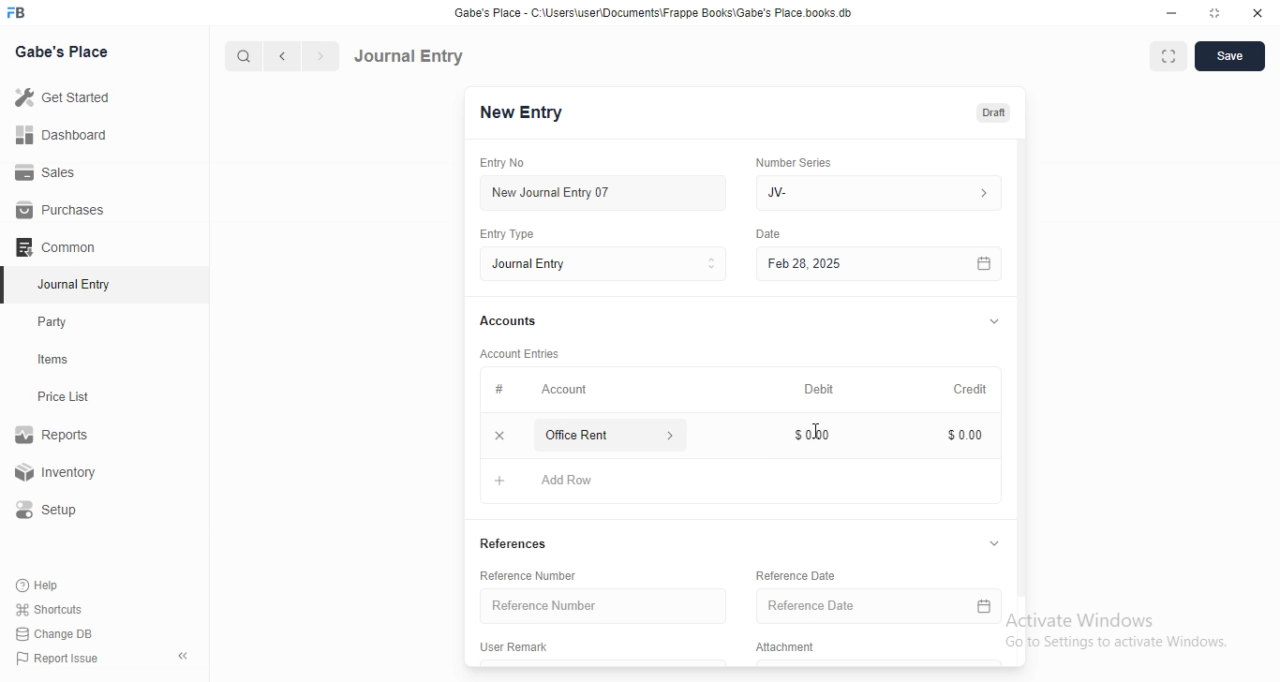 The height and width of the screenshot is (682, 1280). What do you see at coordinates (993, 113) in the screenshot?
I see `Draft` at bounding box center [993, 113].